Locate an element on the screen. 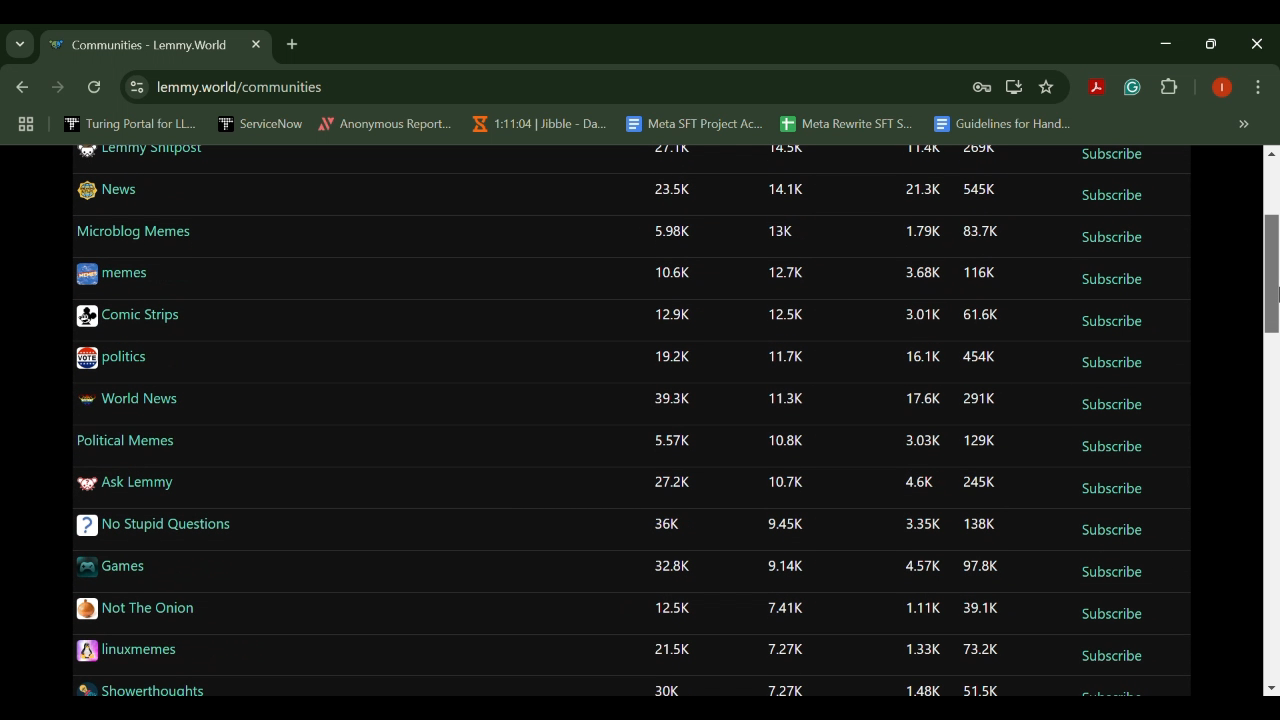 Image resolution: width=1280 pixels, height=720 pixels. Tab Groups is located at coordinates (23, 125).